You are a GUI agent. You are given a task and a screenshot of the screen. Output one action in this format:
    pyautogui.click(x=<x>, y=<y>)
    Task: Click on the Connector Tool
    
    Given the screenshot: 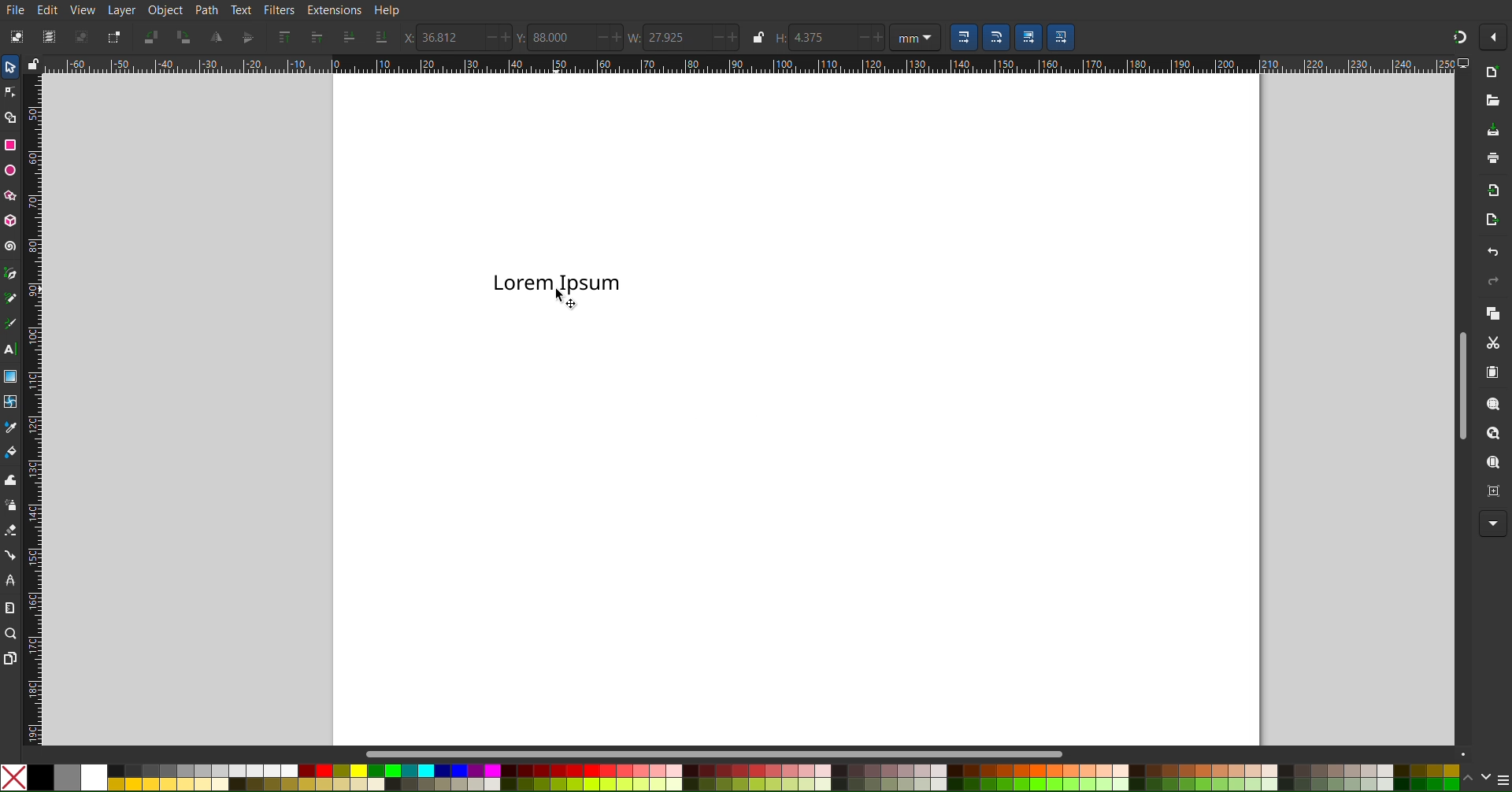 What is the action you would take?
    pyautogui.click(x=9, y=555)
    